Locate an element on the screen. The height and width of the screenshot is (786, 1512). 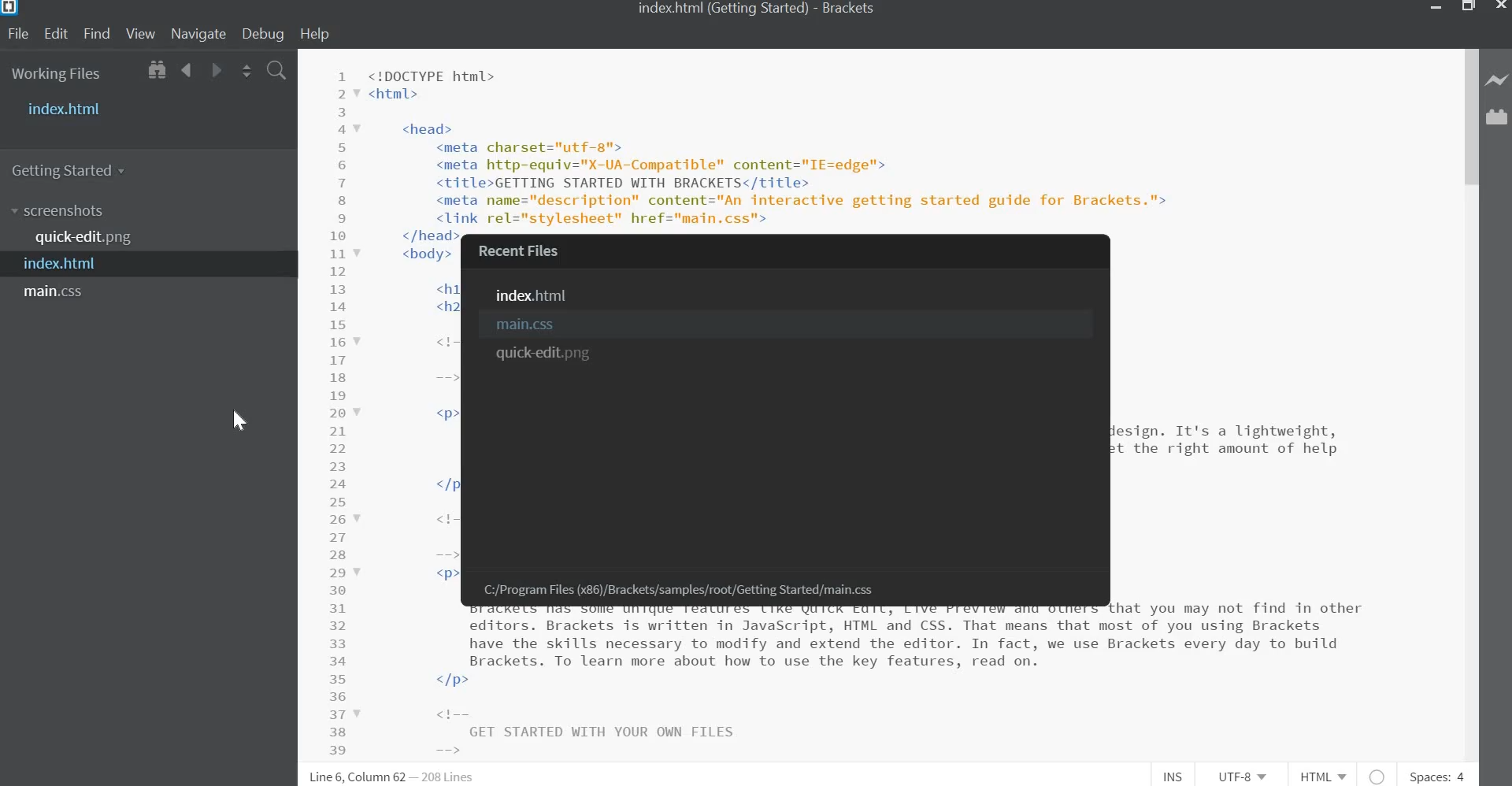
editor area is located at coordinates (376, 497).